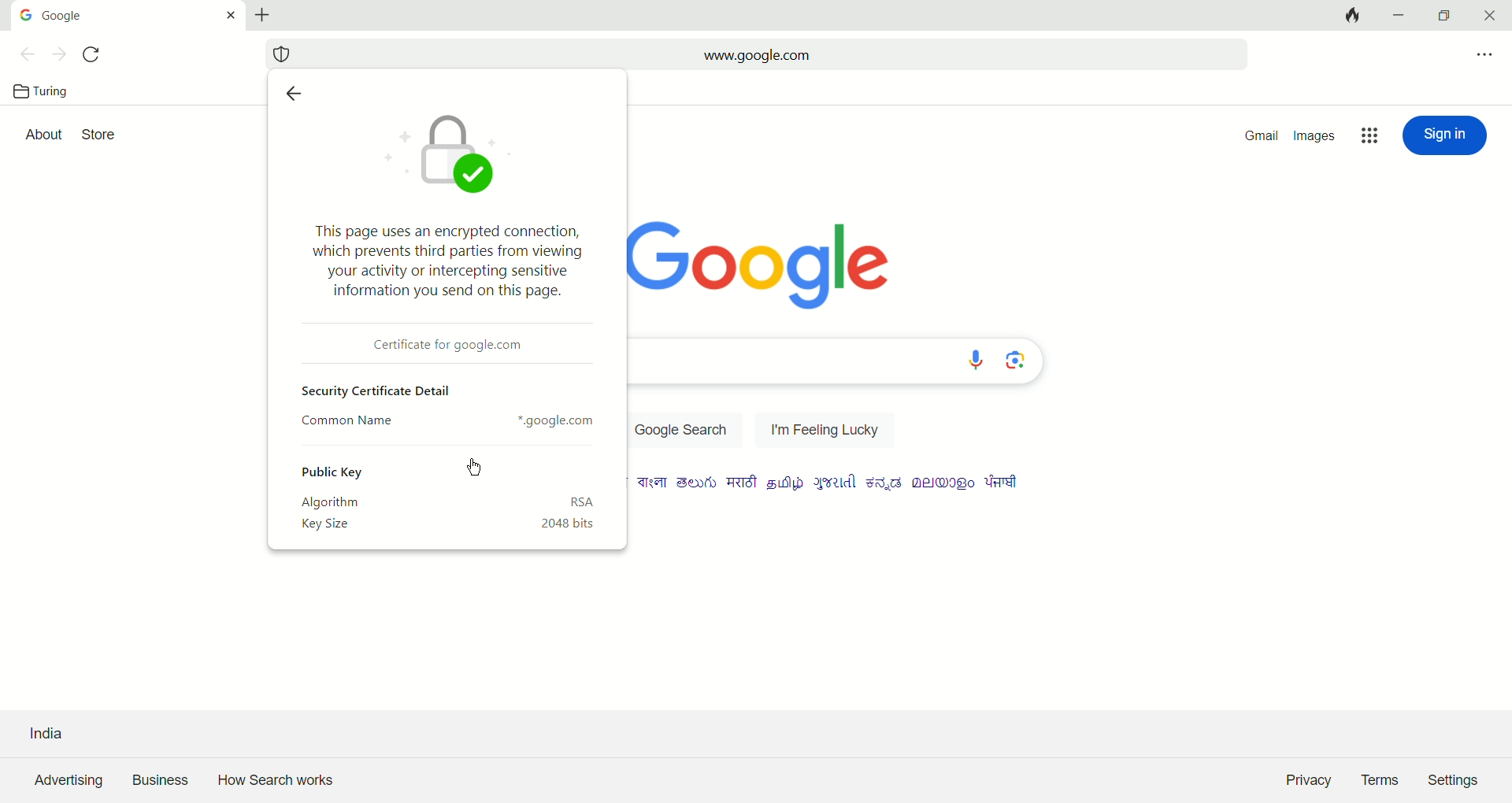  I want to click on minimize, so click(1398, 17).